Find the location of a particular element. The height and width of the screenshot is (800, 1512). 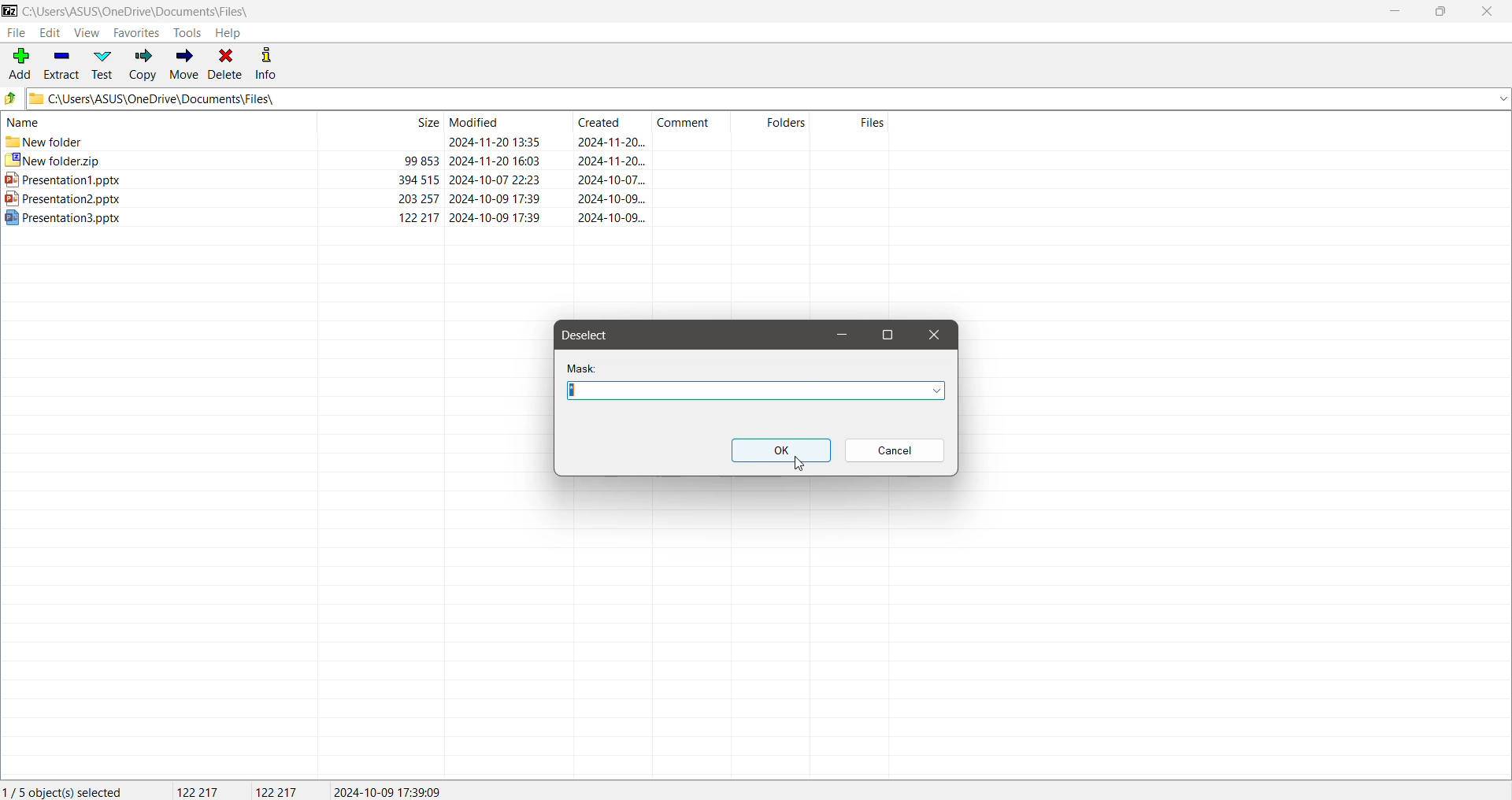

ppt 2 is located at coordinates (447, 199).